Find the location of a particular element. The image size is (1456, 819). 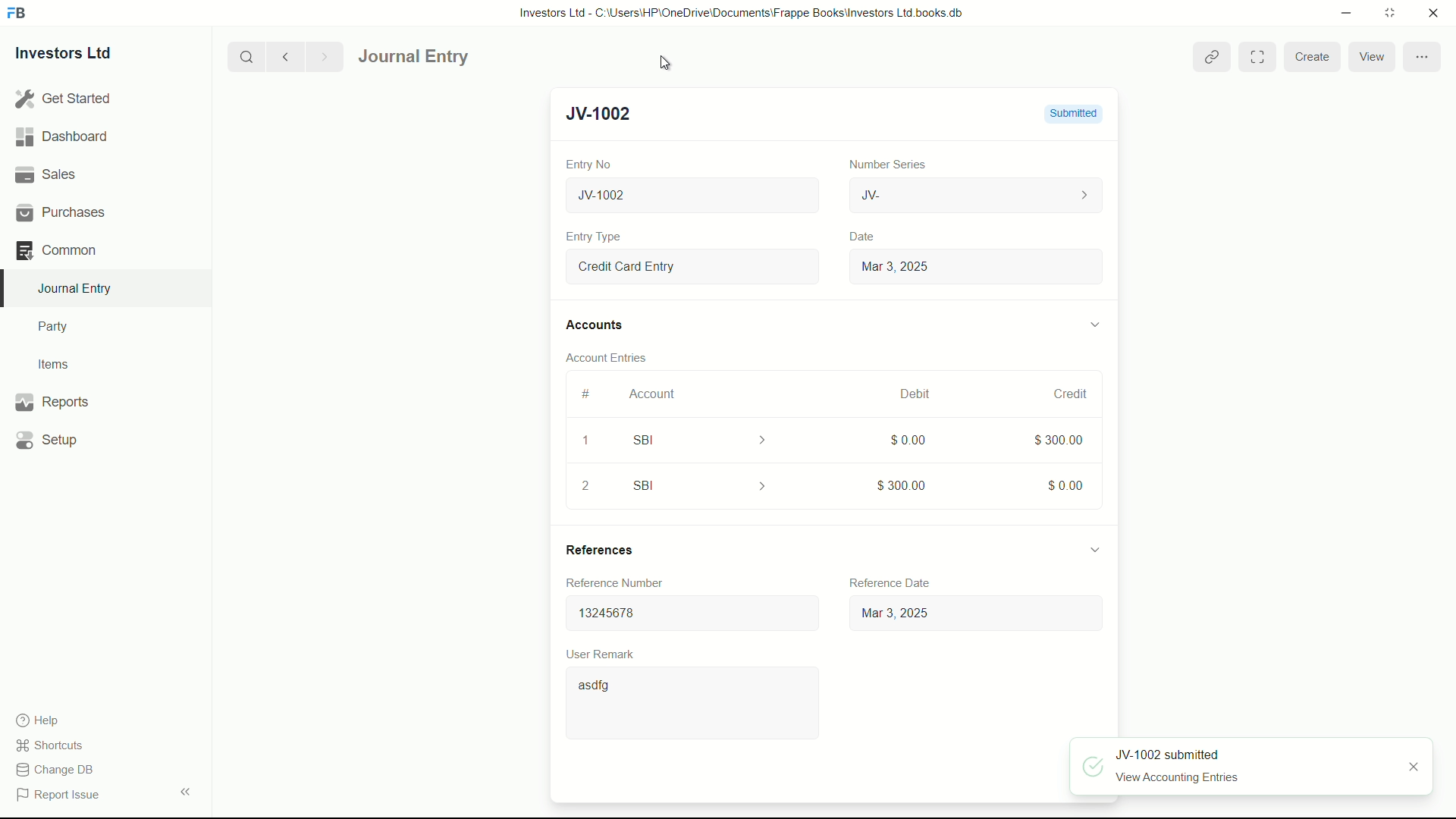

Journal Entry is located at coordinates (457, 57).